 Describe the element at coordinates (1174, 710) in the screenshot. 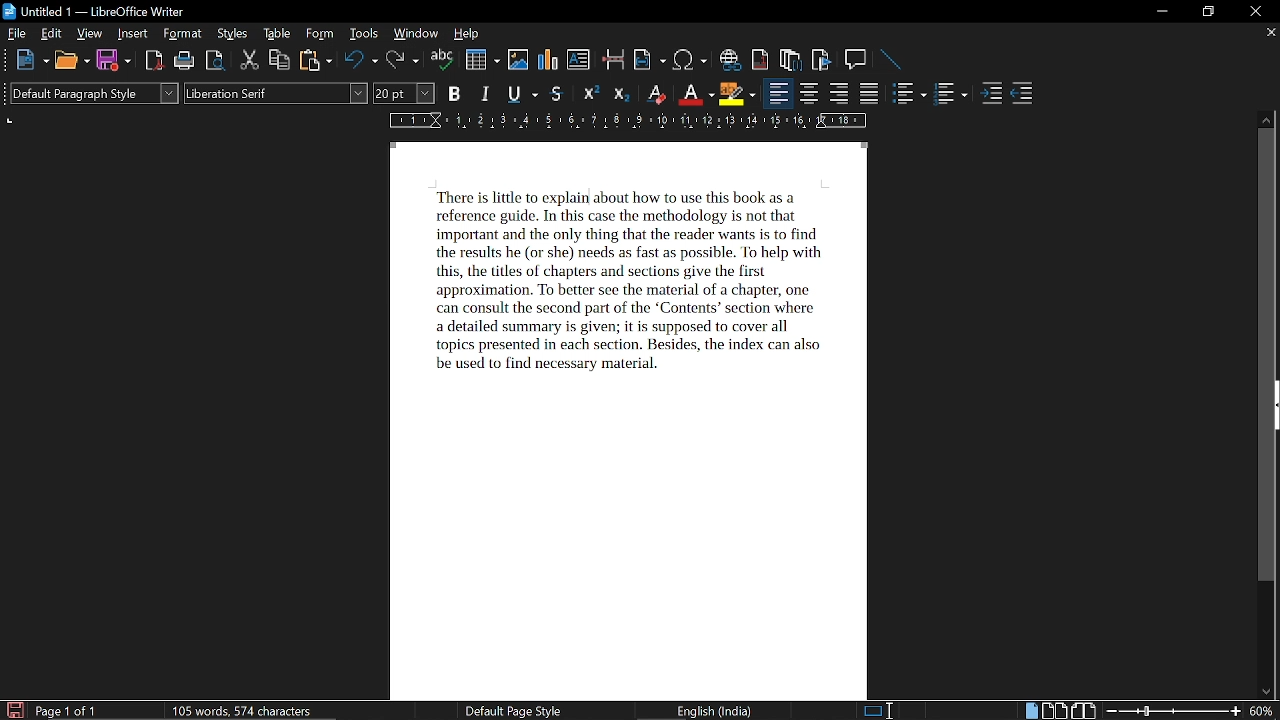

I see `change zoom` at that location.